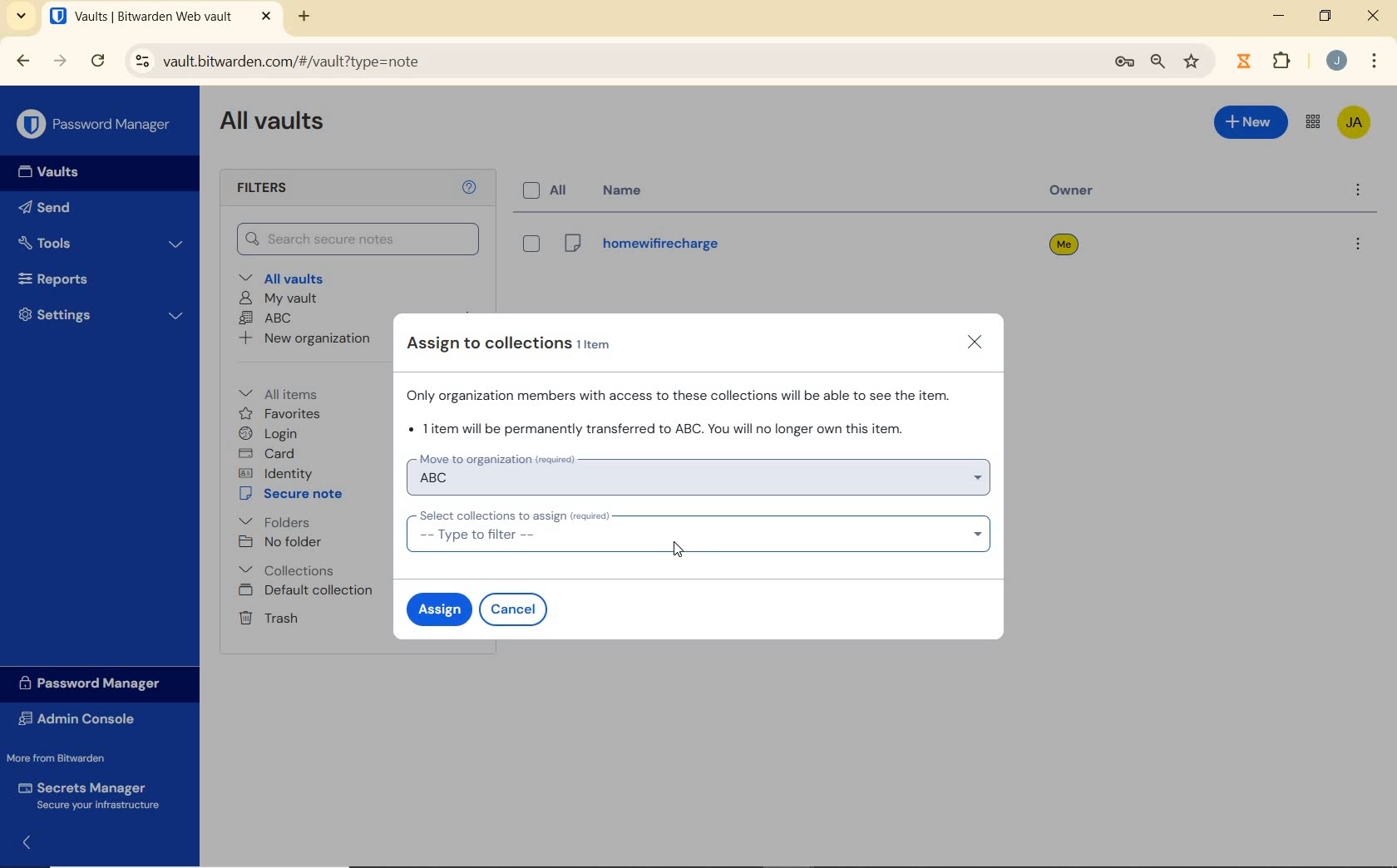 Image resolution: width=1397 pixels, height=868 pixels. What do you see at coordinates (97, 684) in the screenshot?
I see `Password Manager` at bounding box center [97, 684].